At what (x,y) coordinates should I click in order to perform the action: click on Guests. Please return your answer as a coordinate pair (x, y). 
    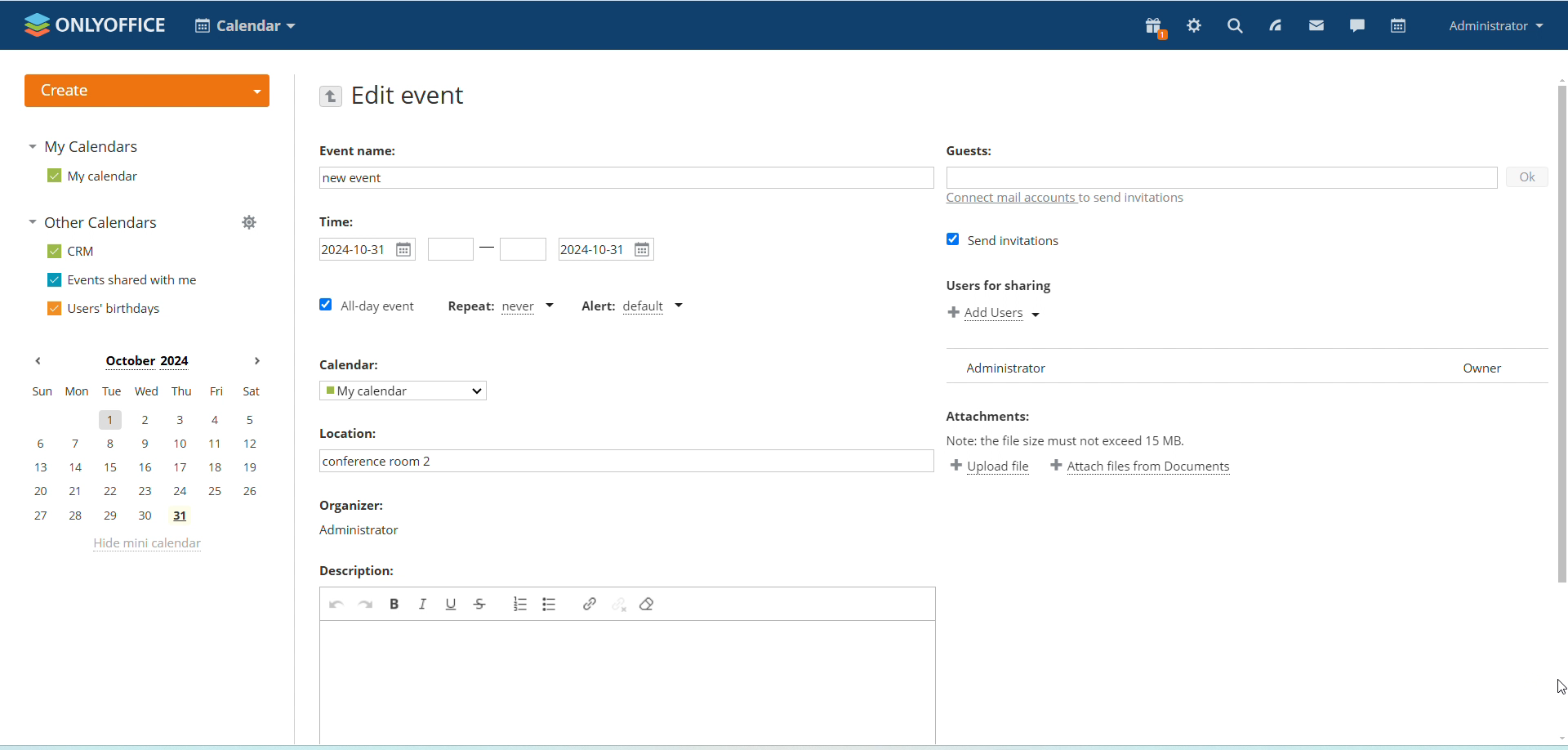
    Looking at the image, I should click on (969, 150).